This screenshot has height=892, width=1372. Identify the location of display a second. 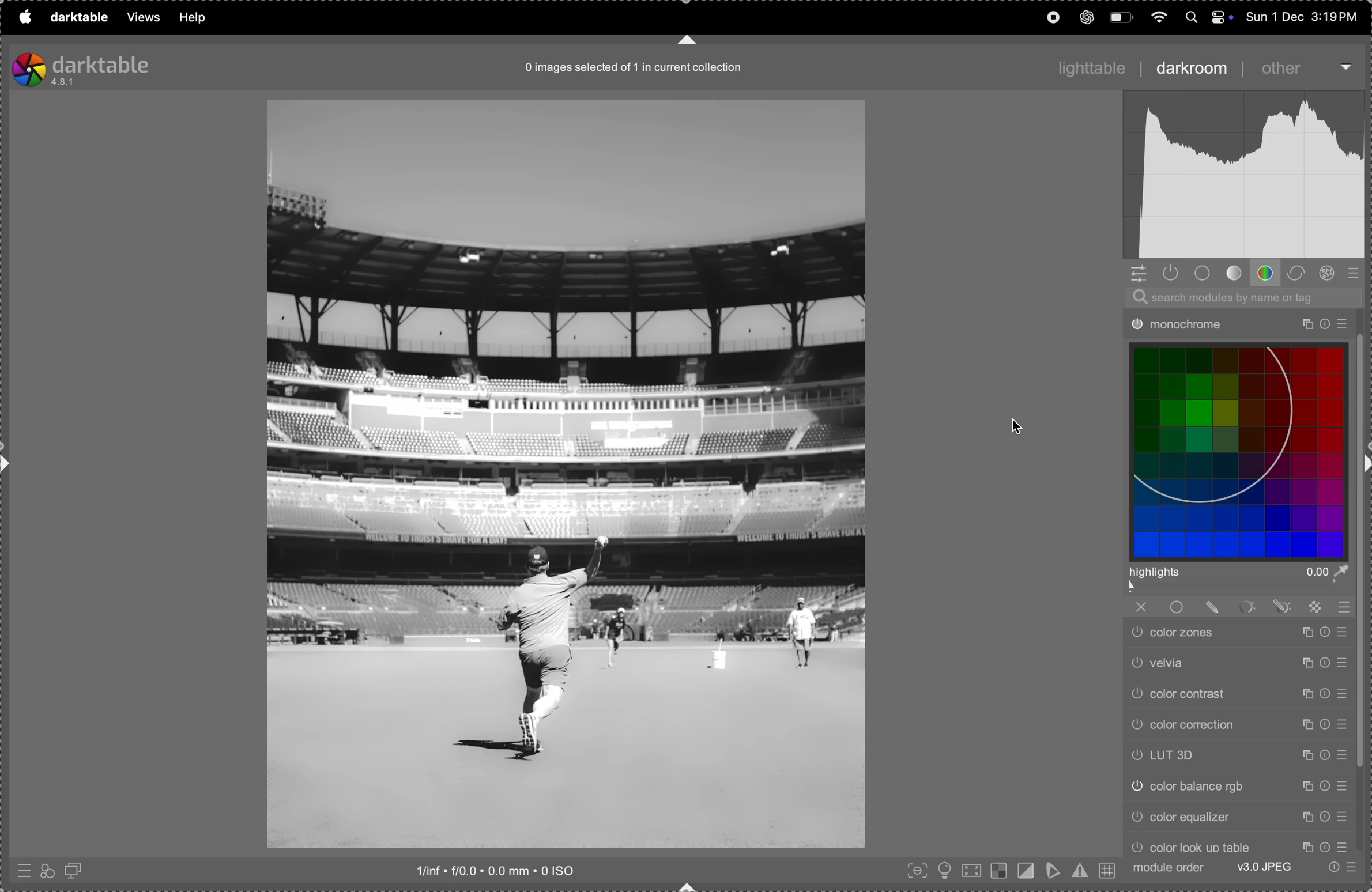
(77, 869).